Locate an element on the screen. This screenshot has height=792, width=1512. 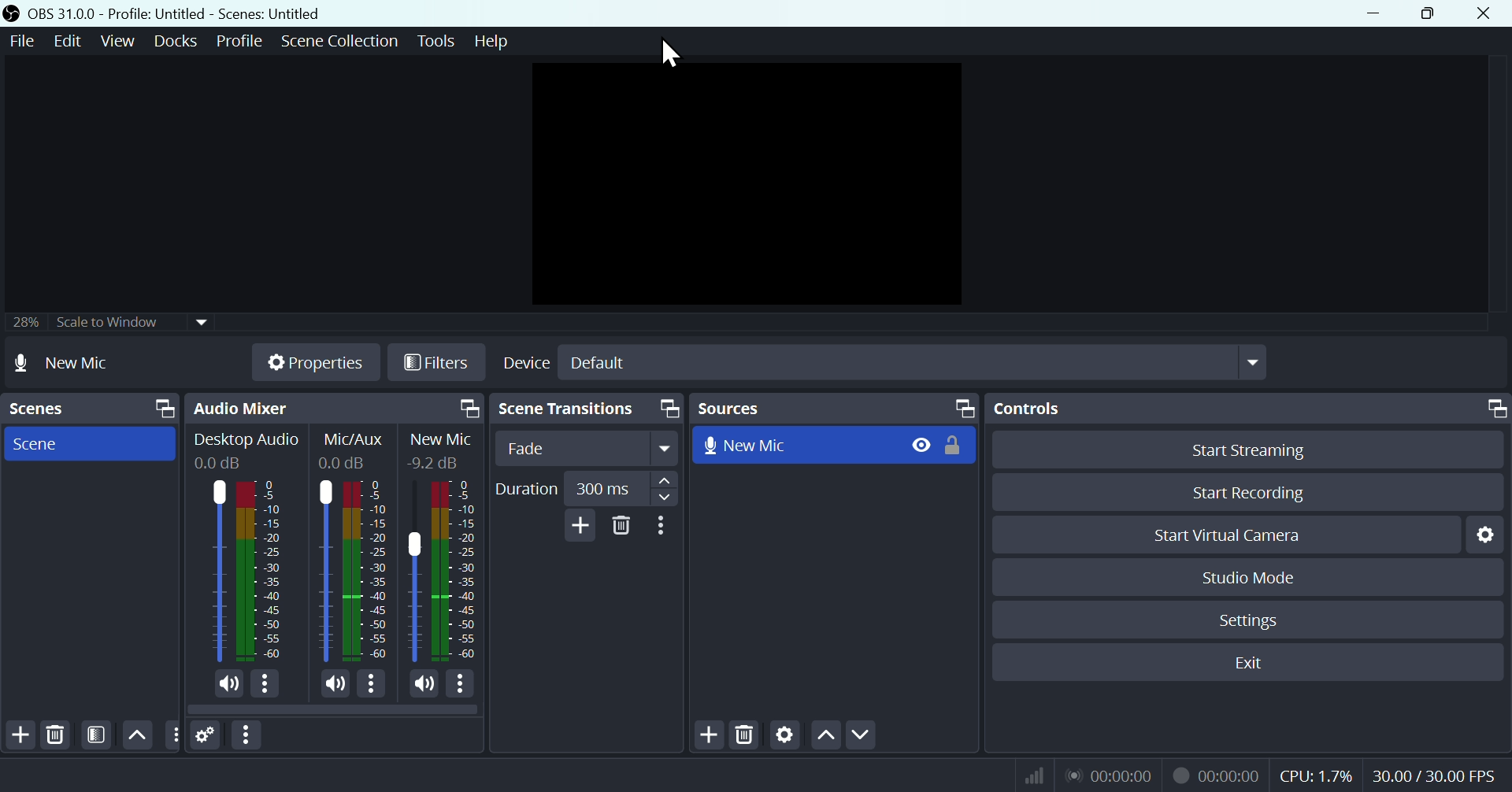
Up is located at coordinates (135, 735).